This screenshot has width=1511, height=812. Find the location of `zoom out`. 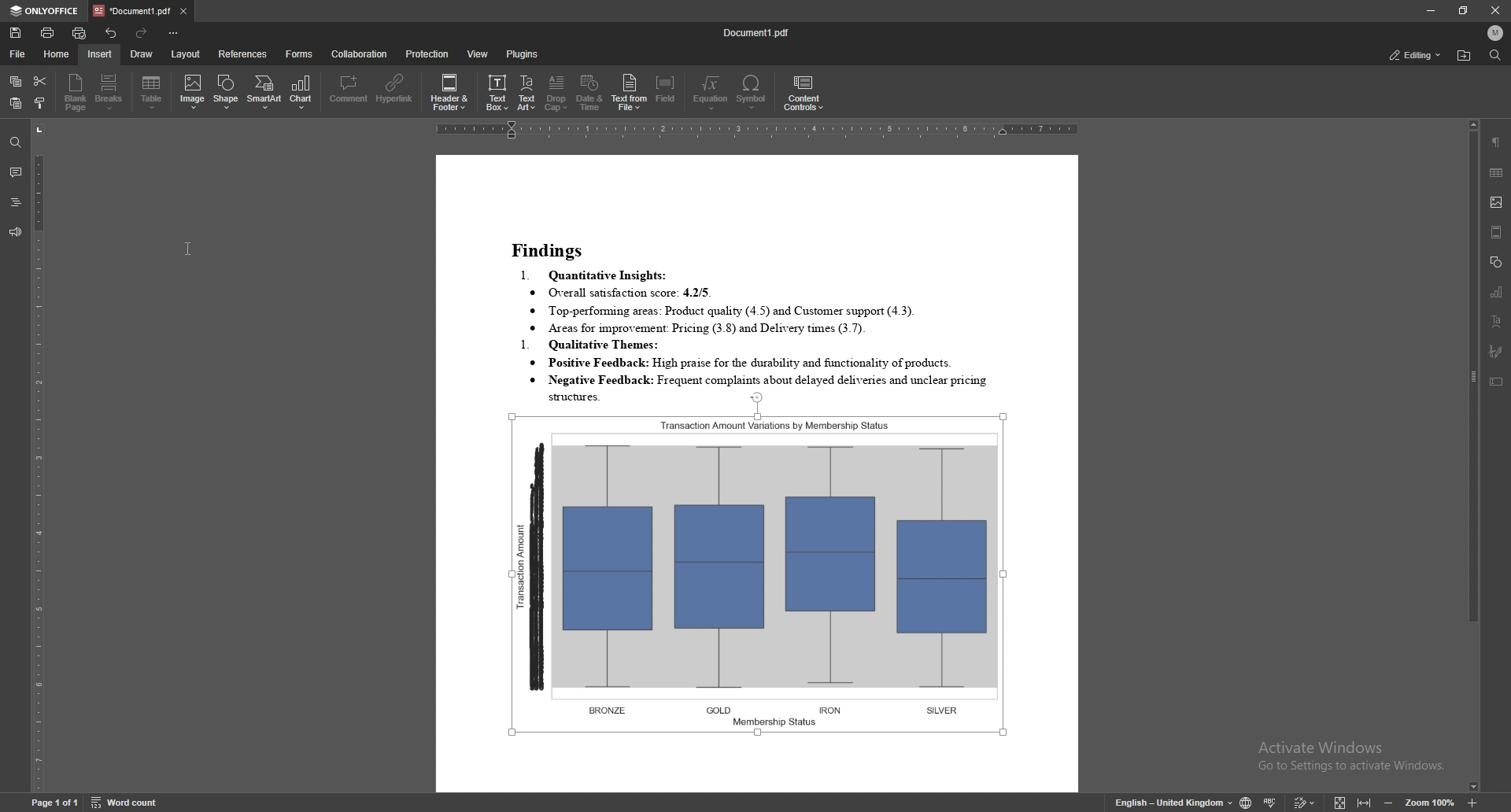

zoom out is located at coordinates (1388, 803).